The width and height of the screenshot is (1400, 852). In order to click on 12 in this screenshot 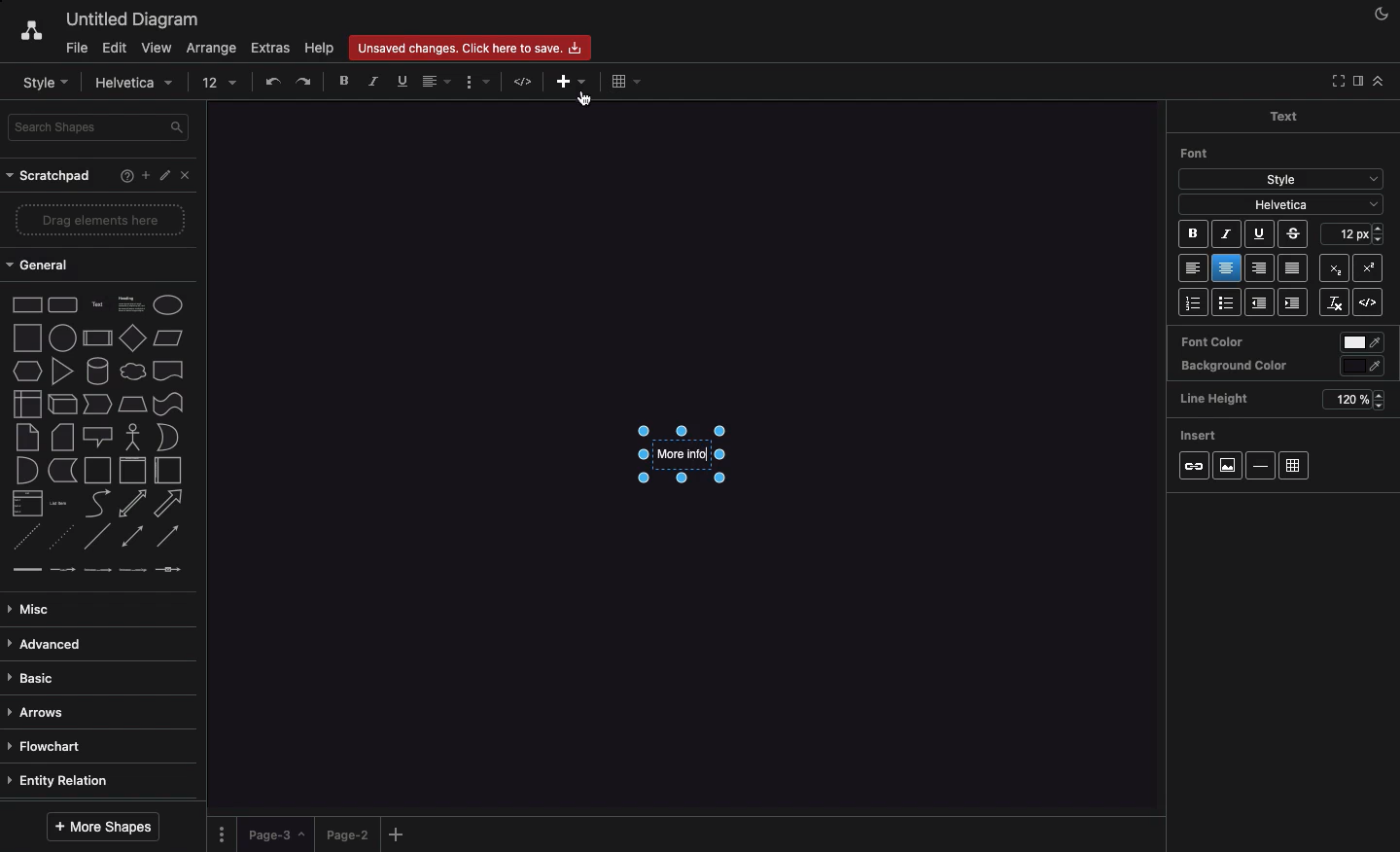, I will do `click(221, 83)`.